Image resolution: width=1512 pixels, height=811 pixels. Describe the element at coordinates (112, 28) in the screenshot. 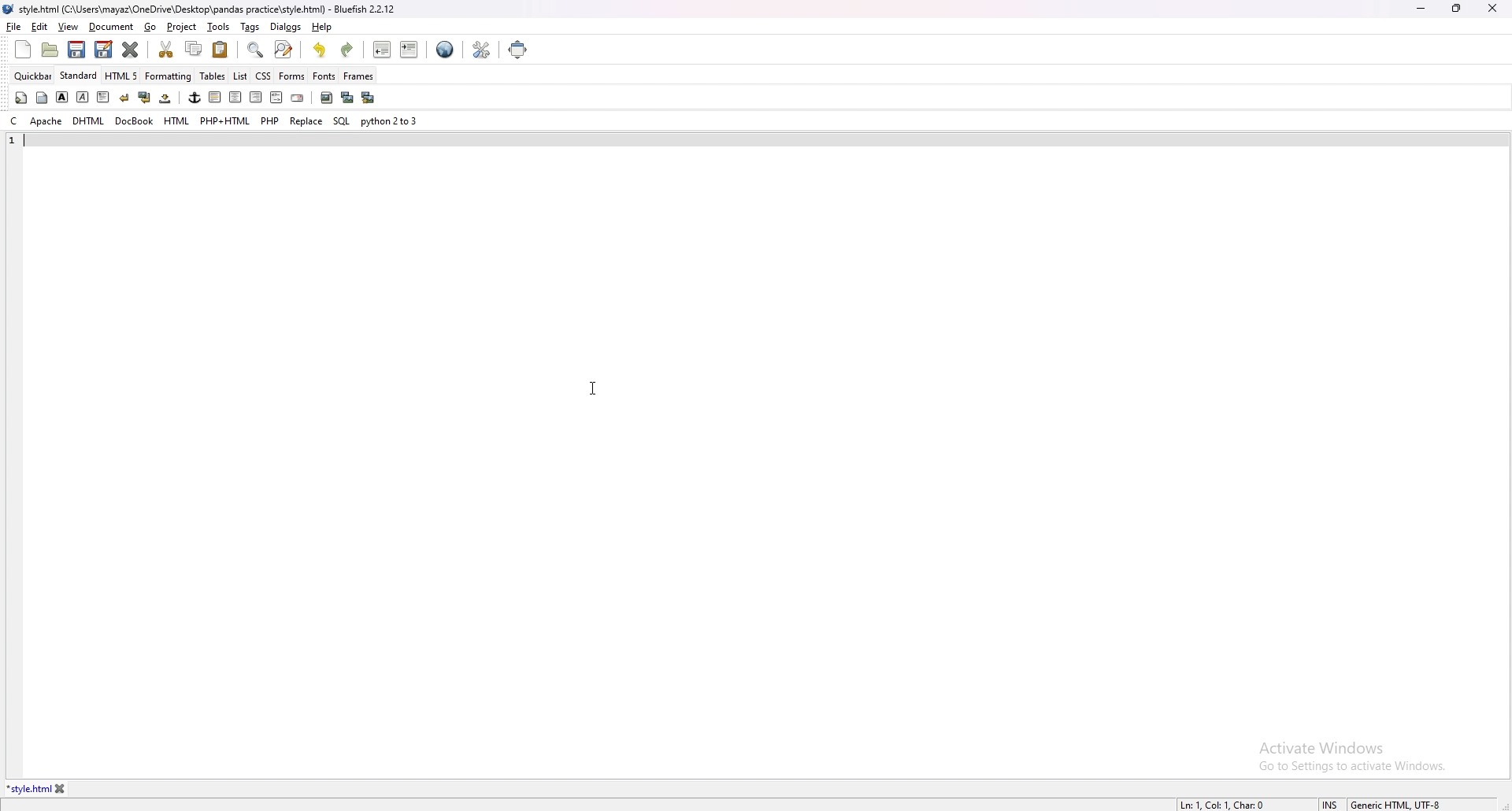

I see `document` at that location.